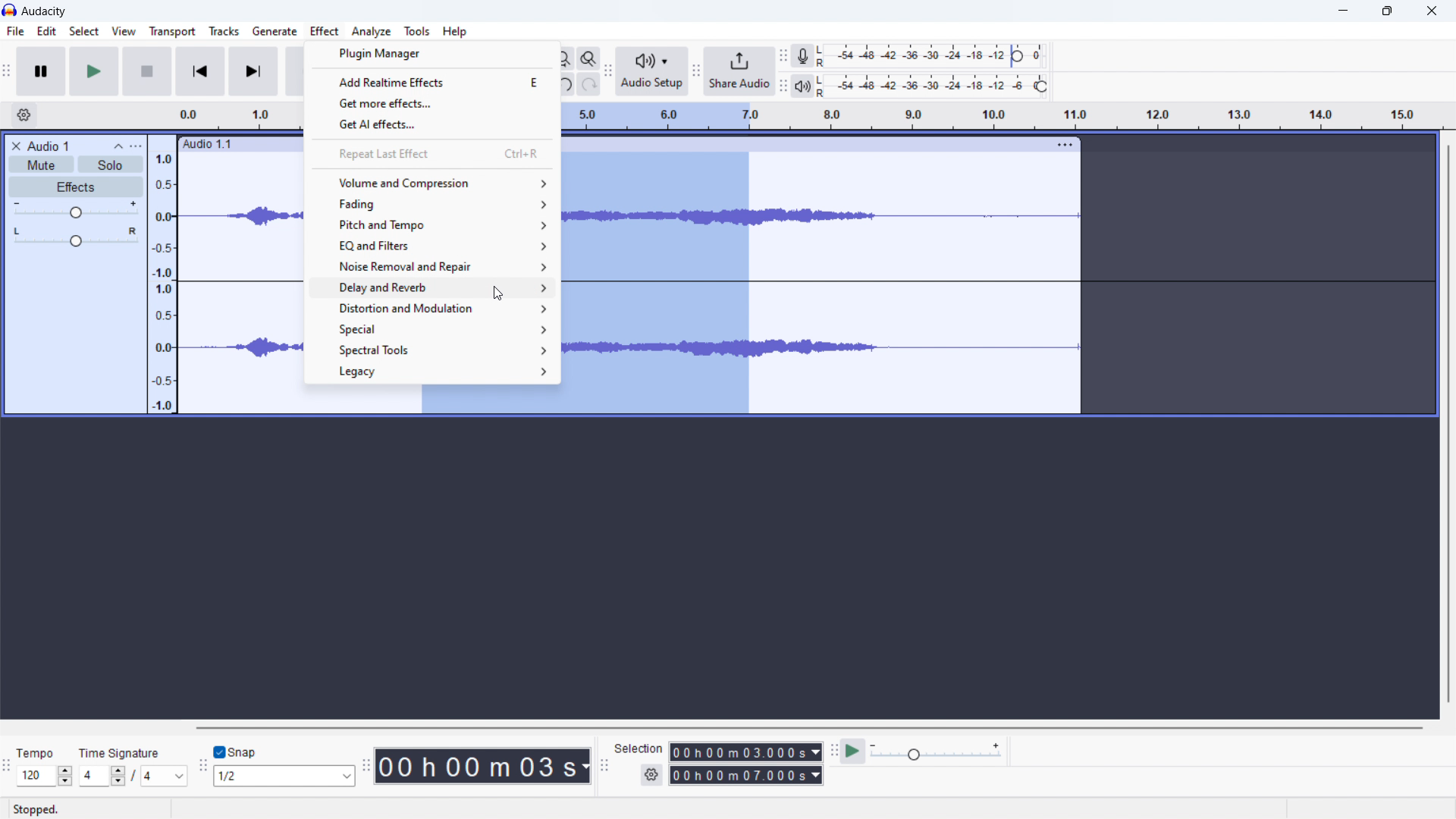 The height and width of the screenshot is (819, 1456). What do you see at coordinates (36, 810) in the screenshot?
I see `stopped.` at bounding box center [36, 810].